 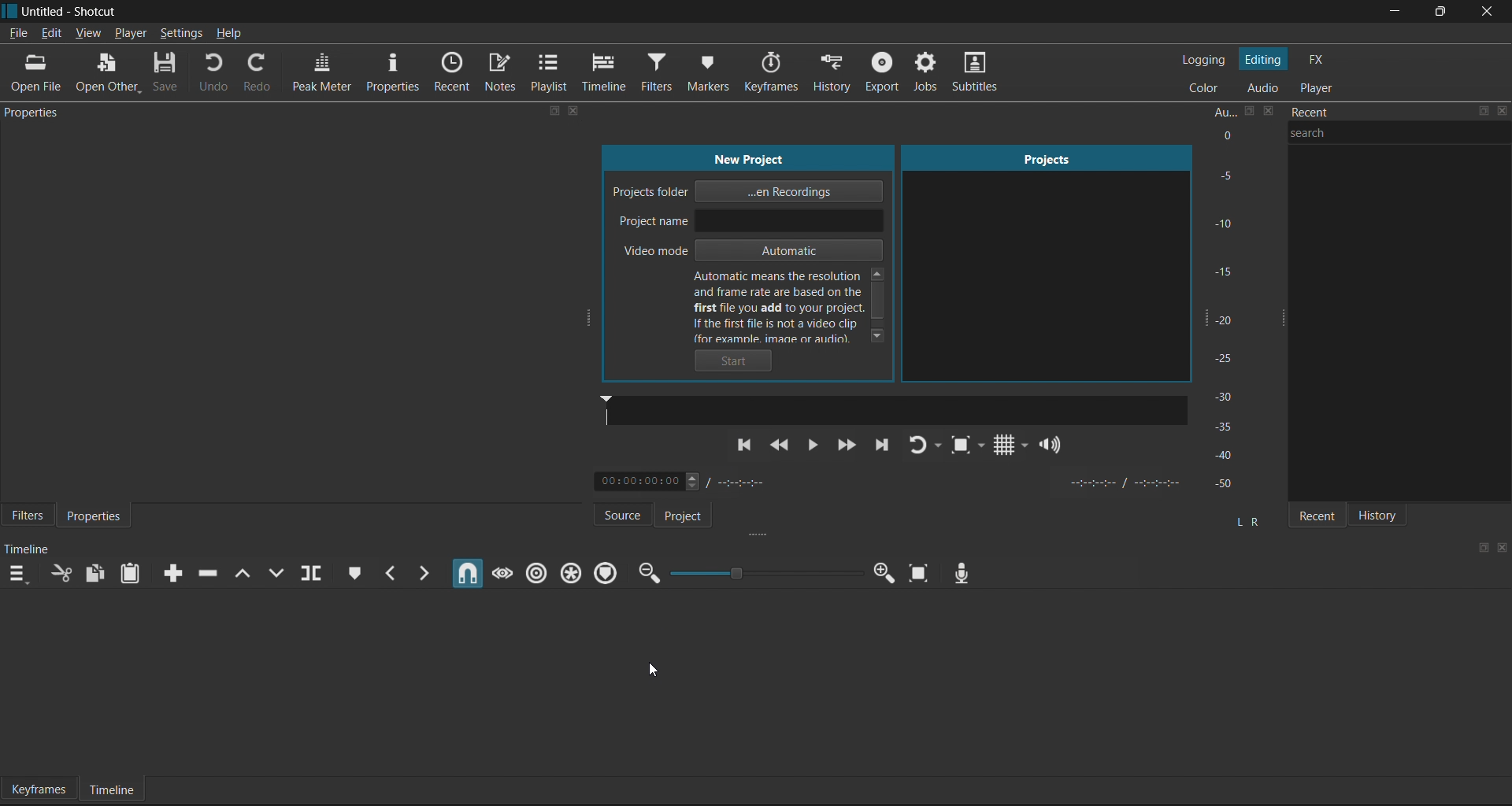 What do you see at coordinates (18, 34) in the screenshot?
I see `File` at bounding box center [18, 34].